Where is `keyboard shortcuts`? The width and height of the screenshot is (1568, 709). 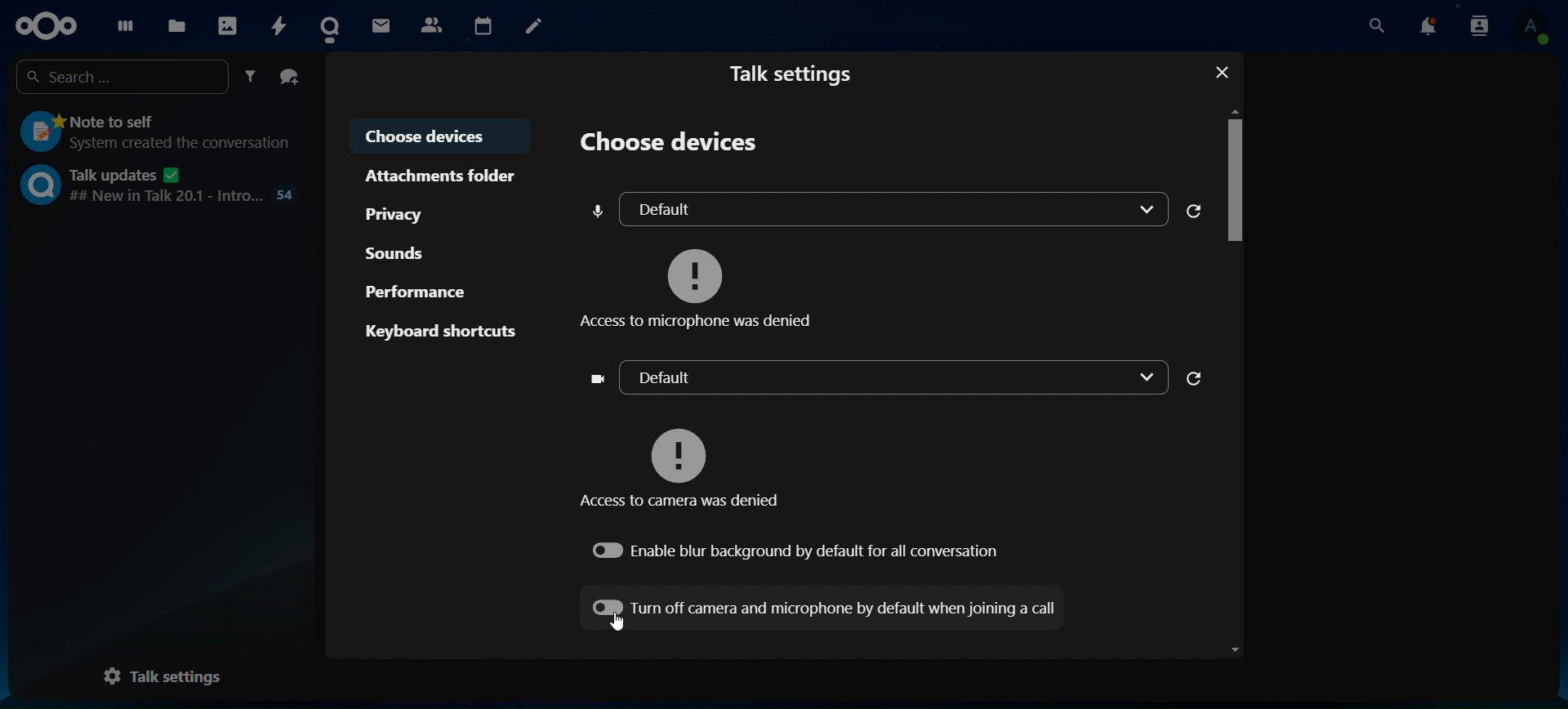 keyboard shortcuts is located at coordinates (441, 328).